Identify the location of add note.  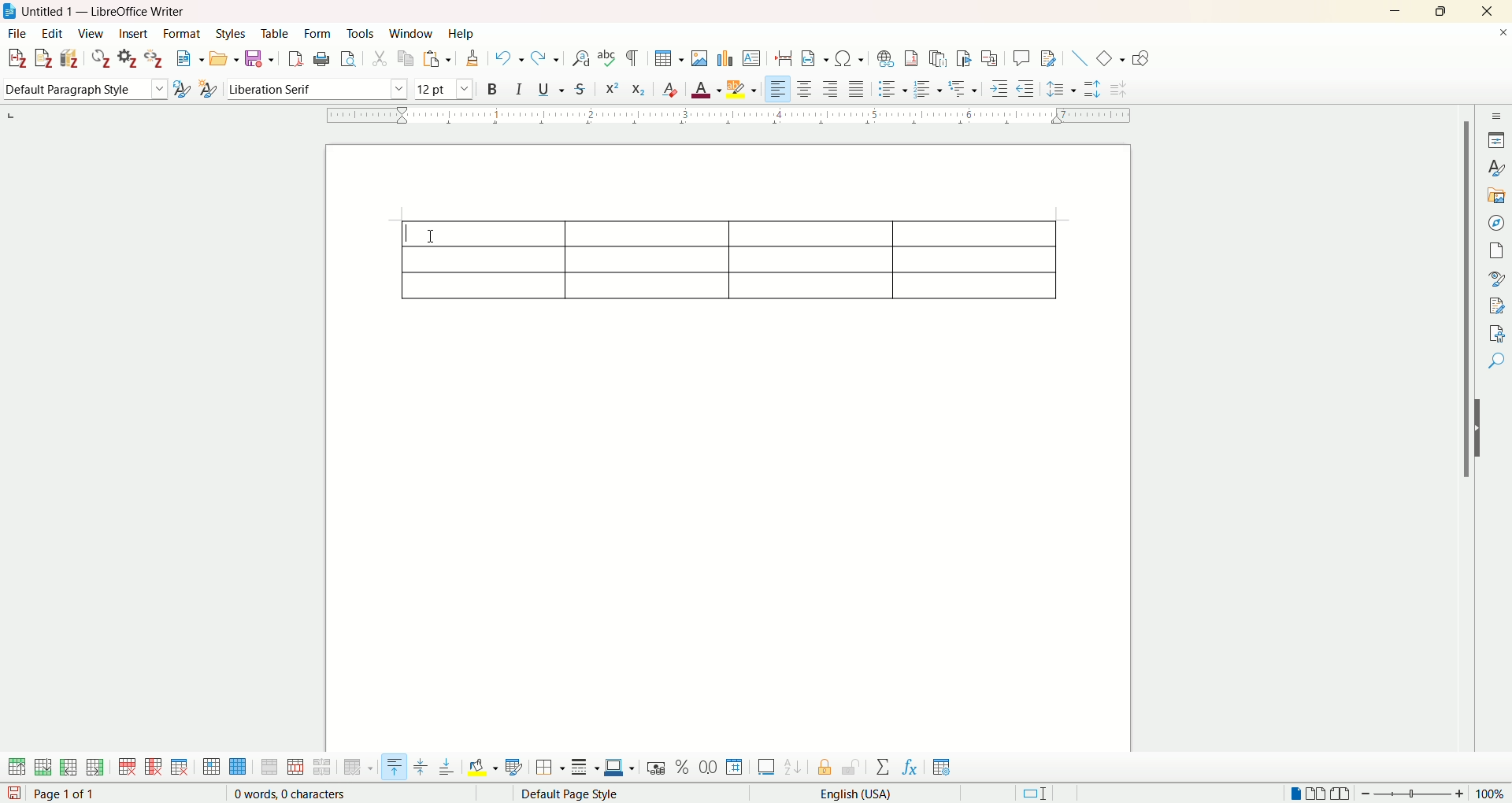
(43, 60).